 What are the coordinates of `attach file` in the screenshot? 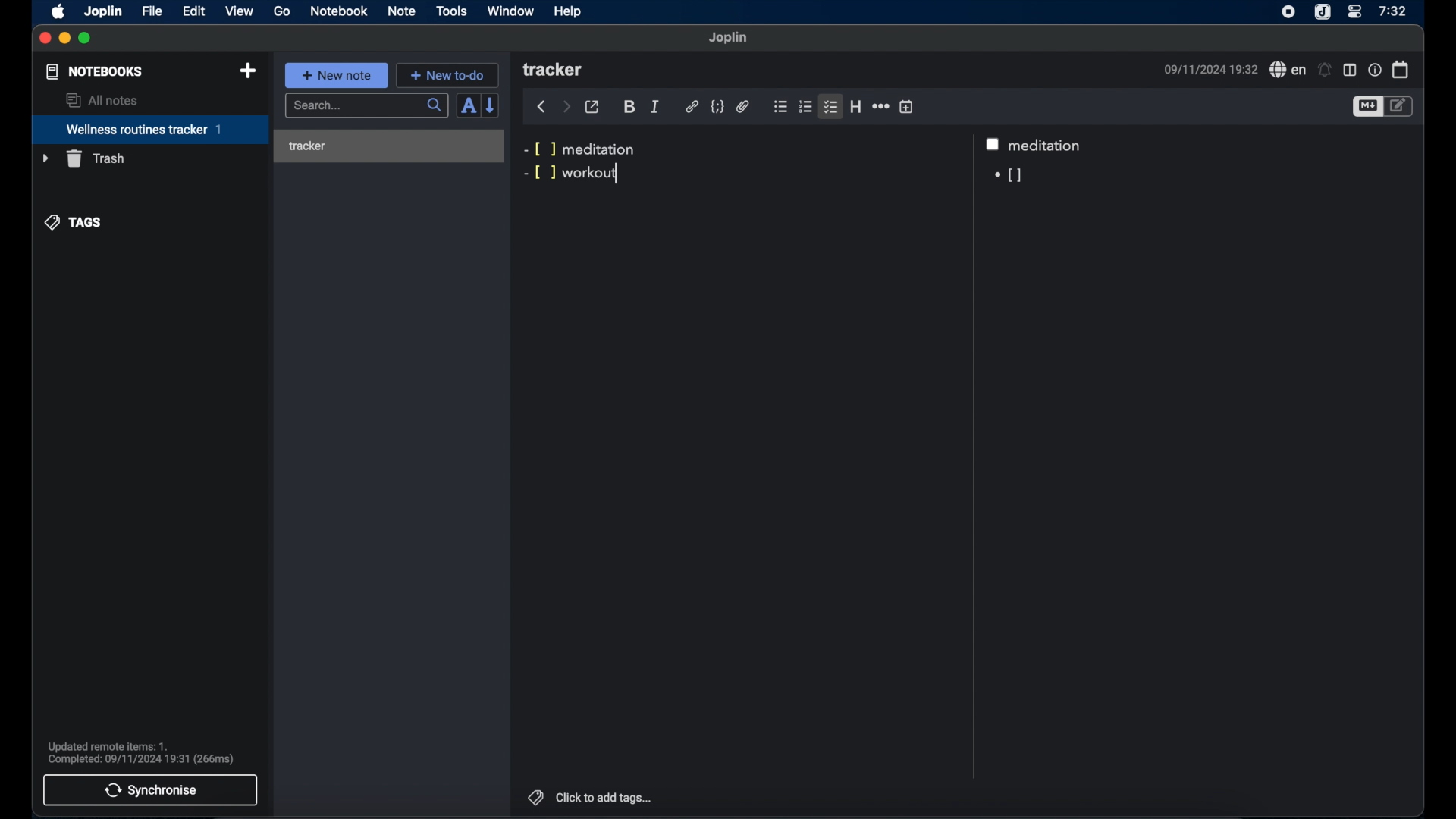 It's located at (743, 108).